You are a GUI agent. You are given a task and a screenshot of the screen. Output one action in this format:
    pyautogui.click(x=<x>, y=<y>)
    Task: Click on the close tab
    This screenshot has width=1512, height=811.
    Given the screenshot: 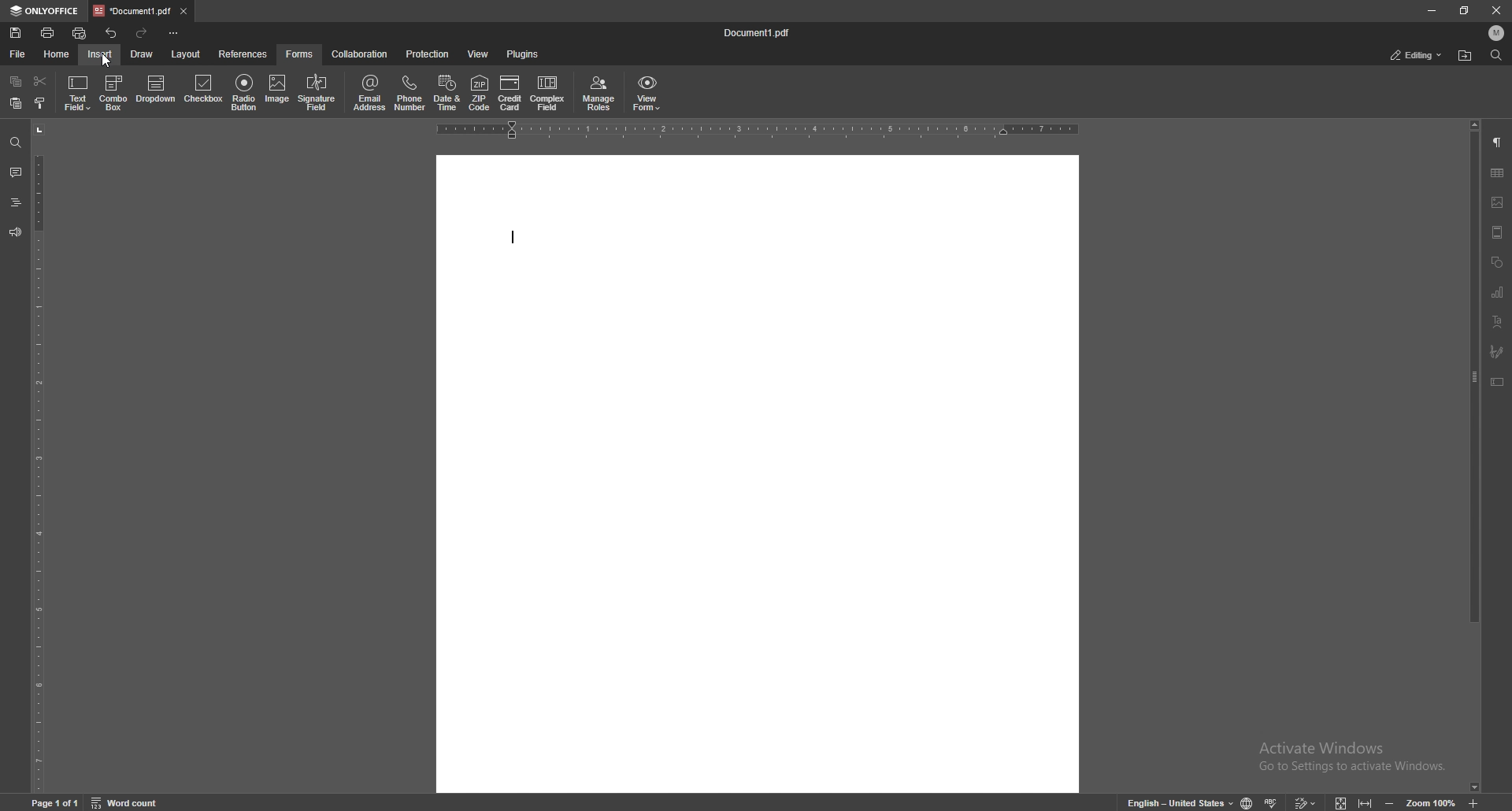 What is the action you would take?
    pyautogui.click(x=185, y=10)
    